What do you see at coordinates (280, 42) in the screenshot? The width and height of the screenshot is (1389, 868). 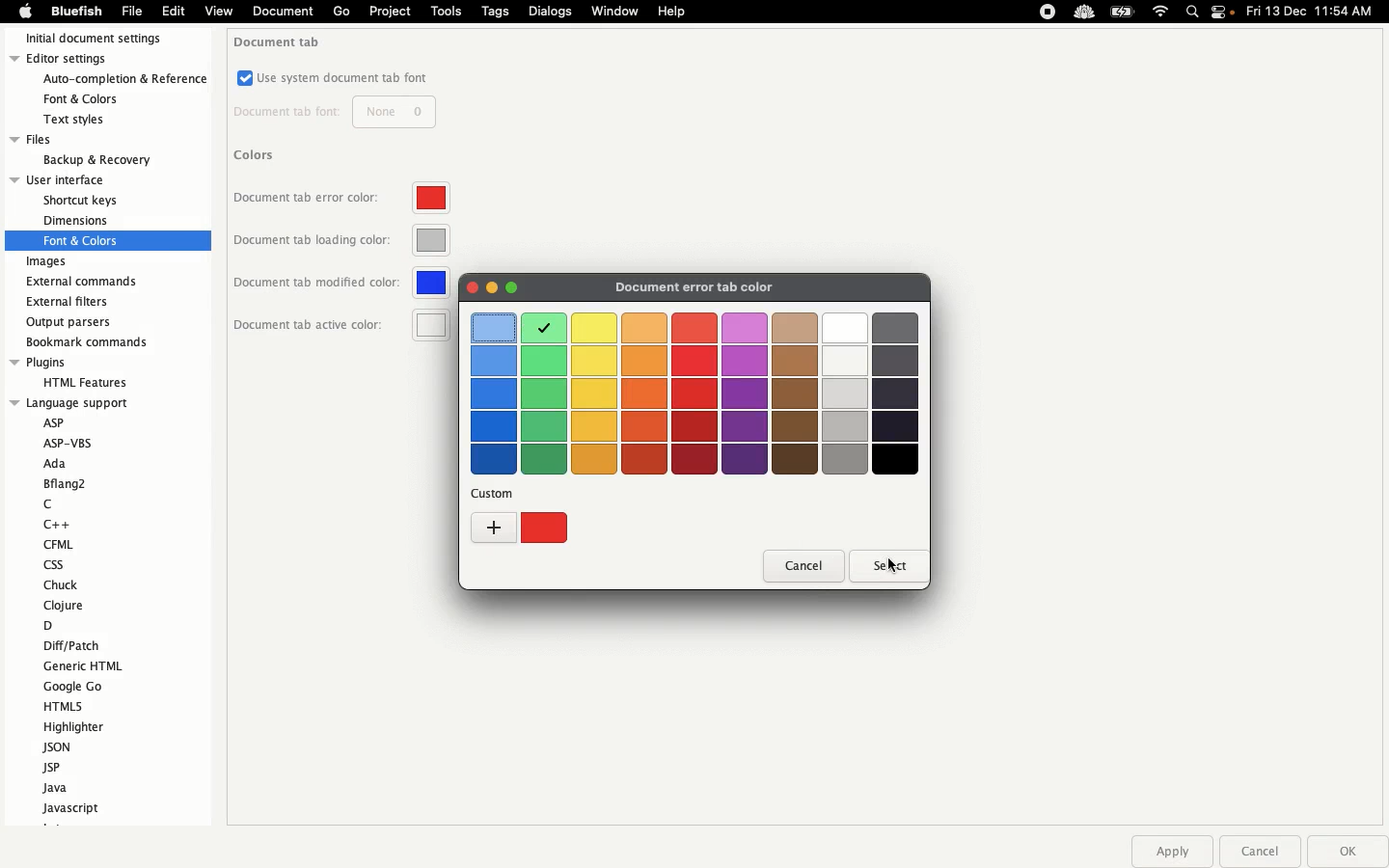 I see `Document tab` at bounding box center [280, 42].